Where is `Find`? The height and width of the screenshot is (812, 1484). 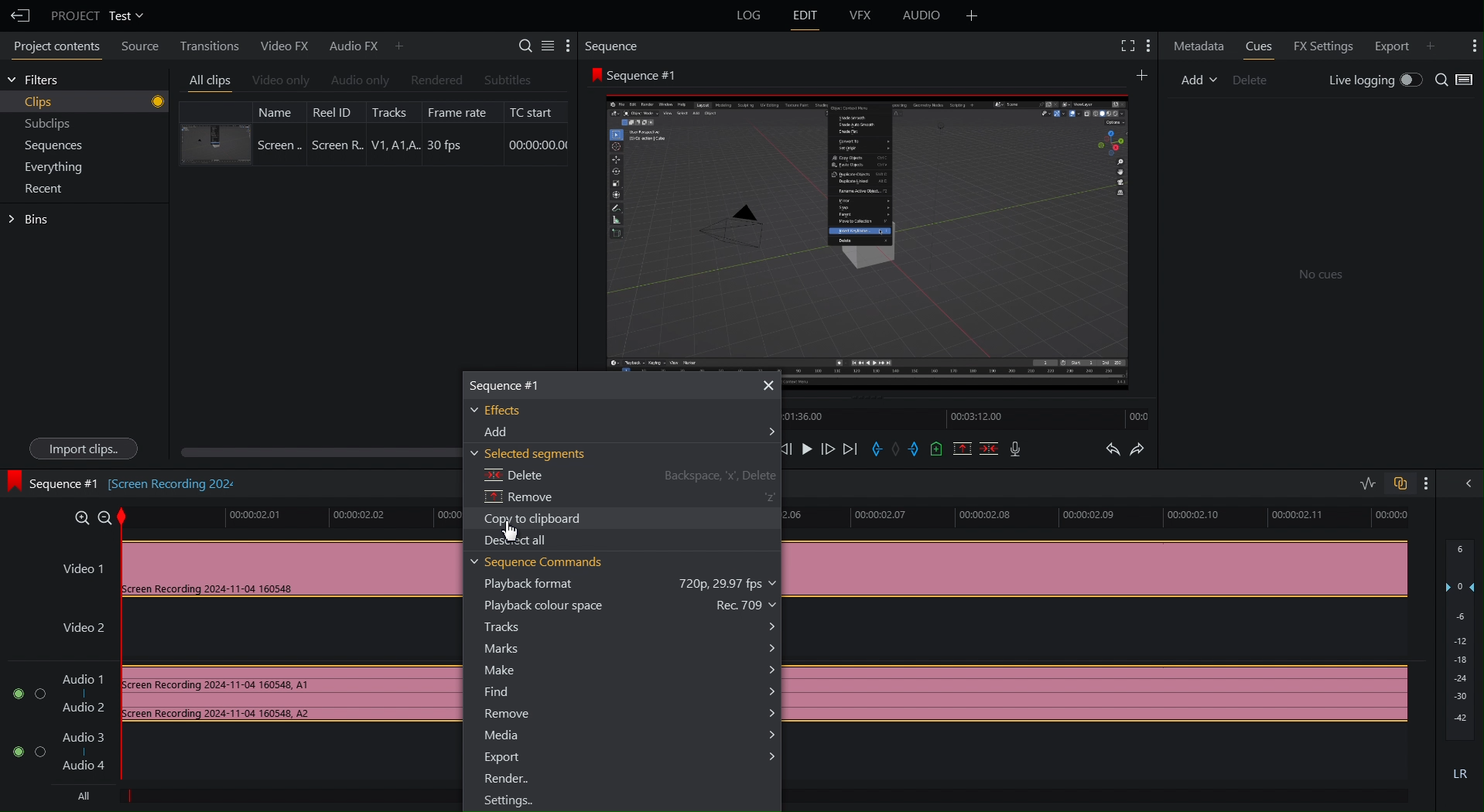
Find is located at coordinates (631, 692).